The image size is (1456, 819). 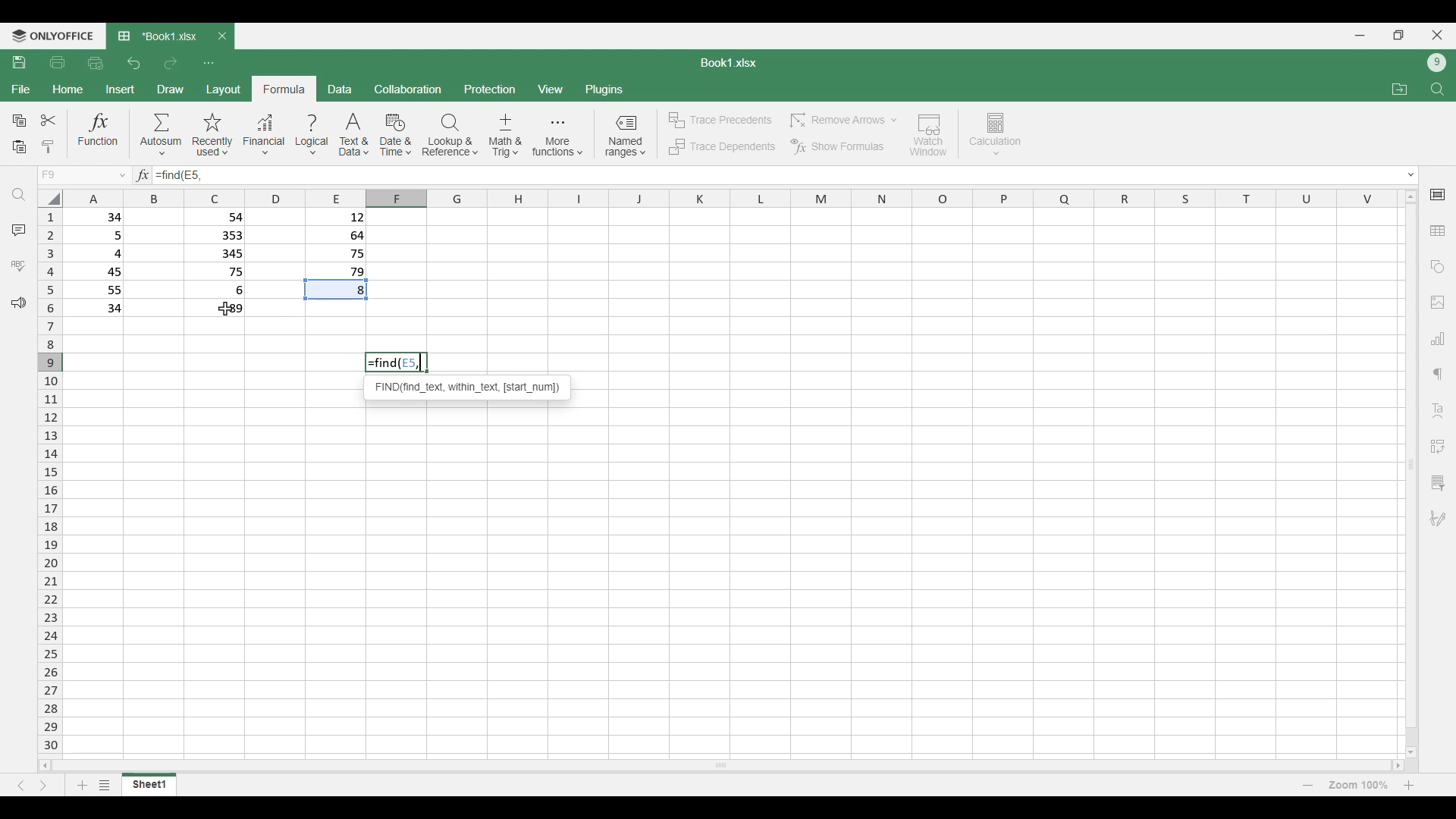 I want to click on Add digital signature or signature line, so click(x=1438, y=519).